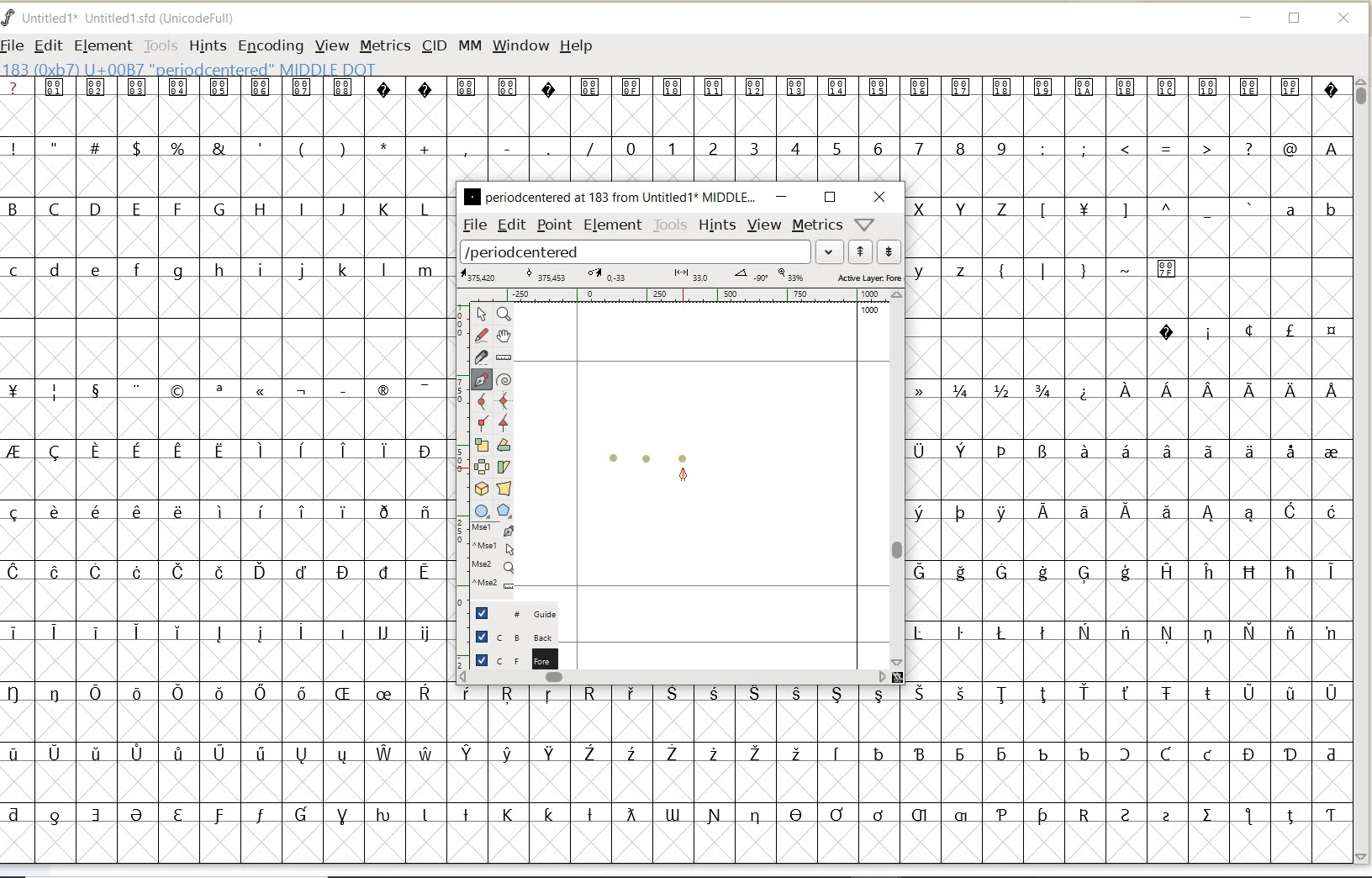 The width and height of the screenshot is (1372, 878). I want to click on minimize, so click(781, 197).